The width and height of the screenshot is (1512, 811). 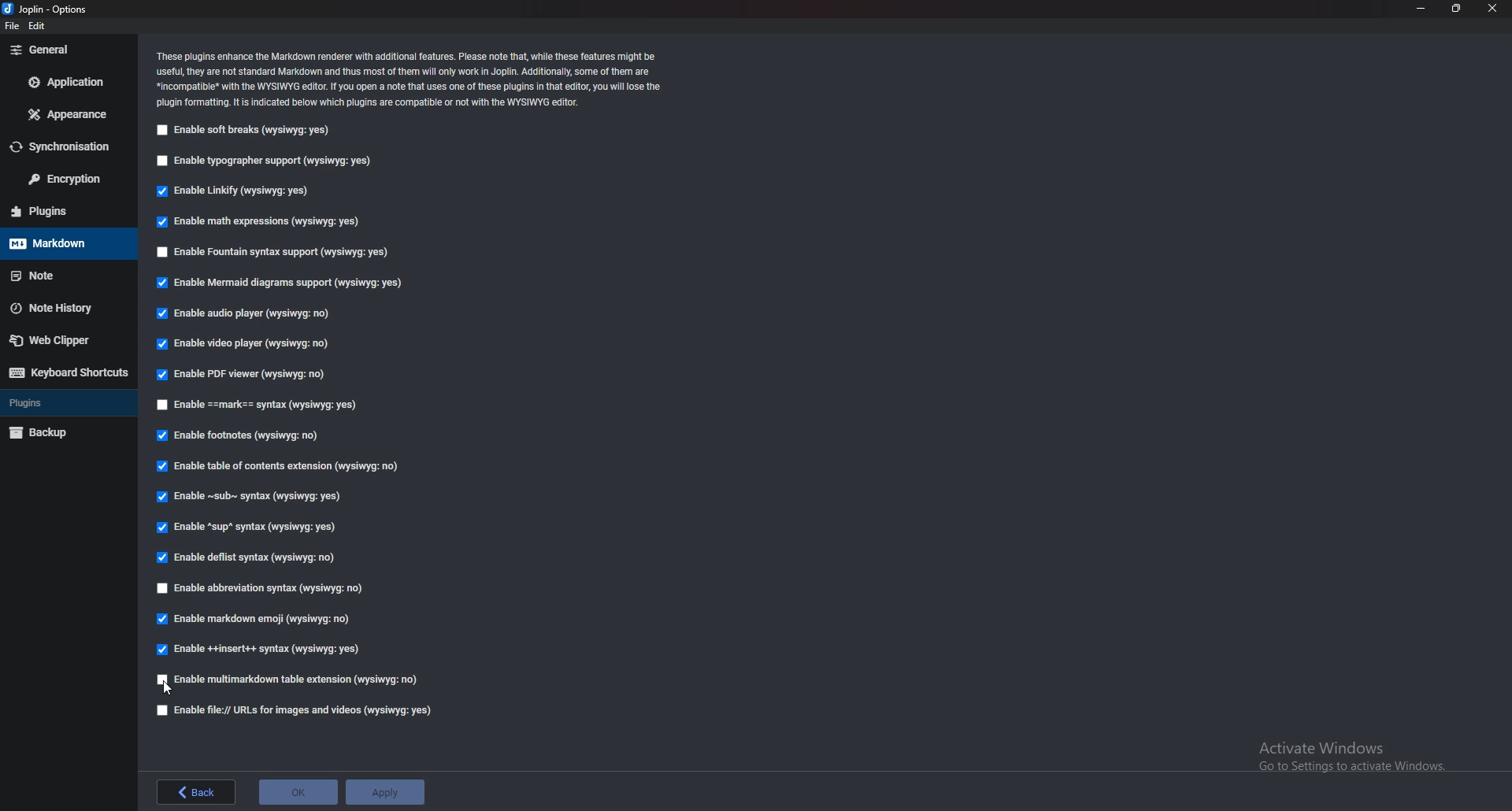 What do you see at coordinates (66, 49) in the screenshot?
I see `General` at bounding box center [66, 49].